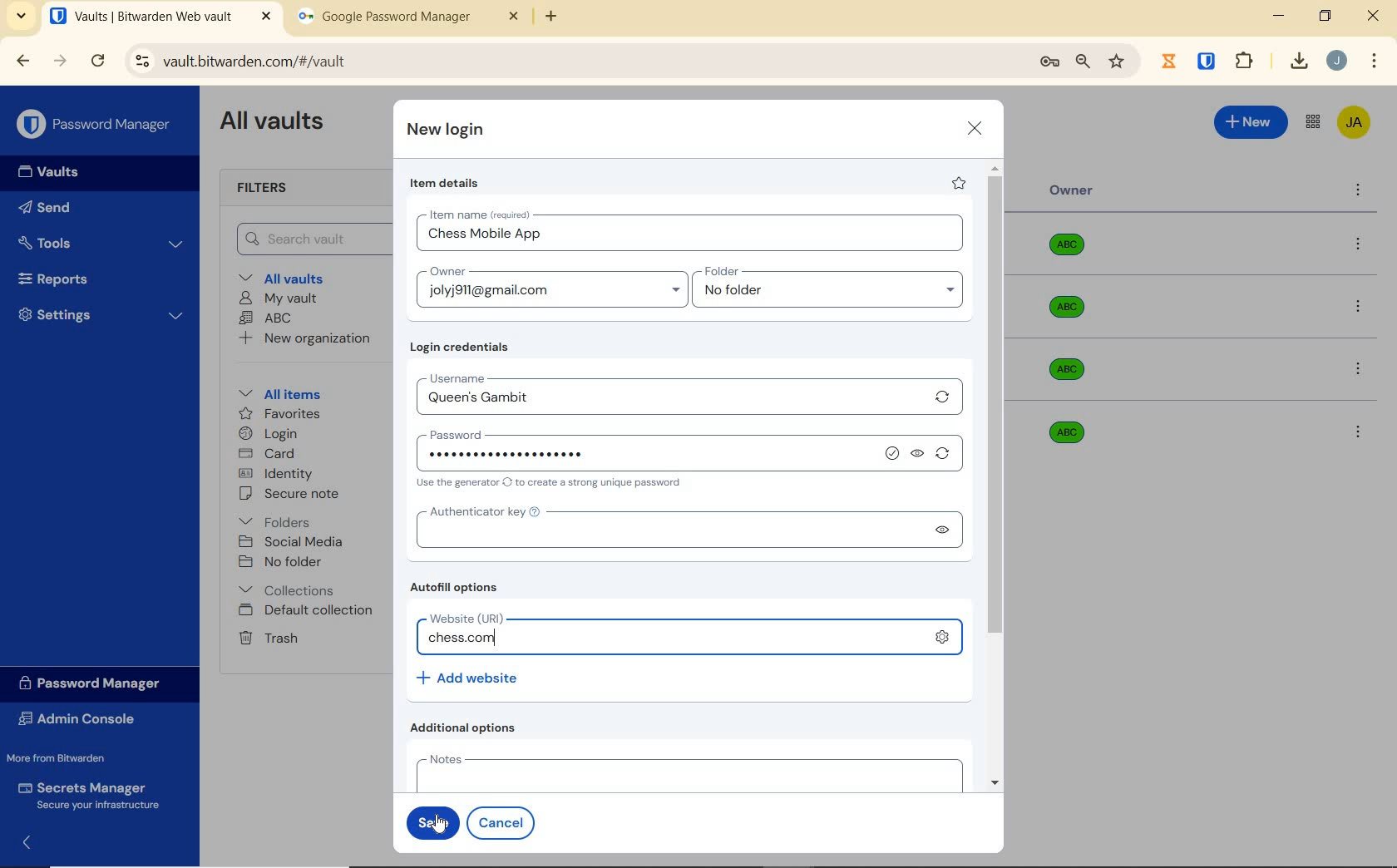 The height and width of the screenshot is (868, 1397). Describe the element at coordinates (279, 298) in the screenshot. I see `My Vault` at that location.